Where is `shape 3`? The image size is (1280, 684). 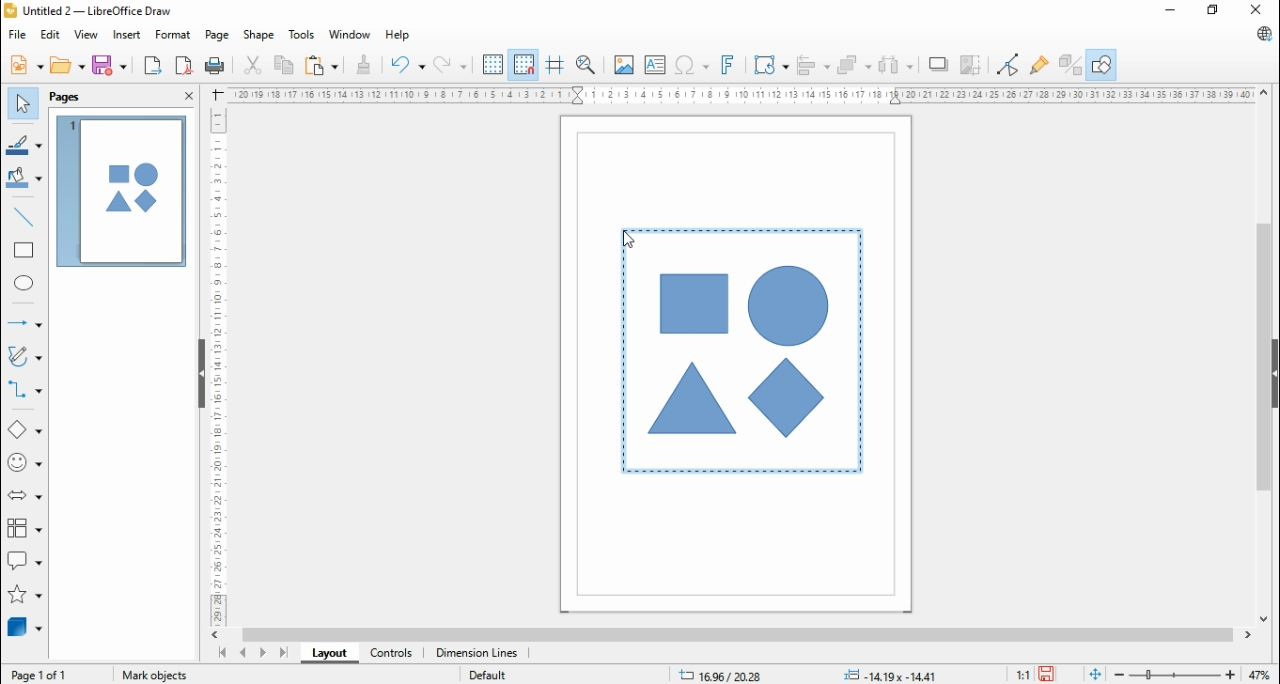 shape 3 is located at coordinates (787, 307).